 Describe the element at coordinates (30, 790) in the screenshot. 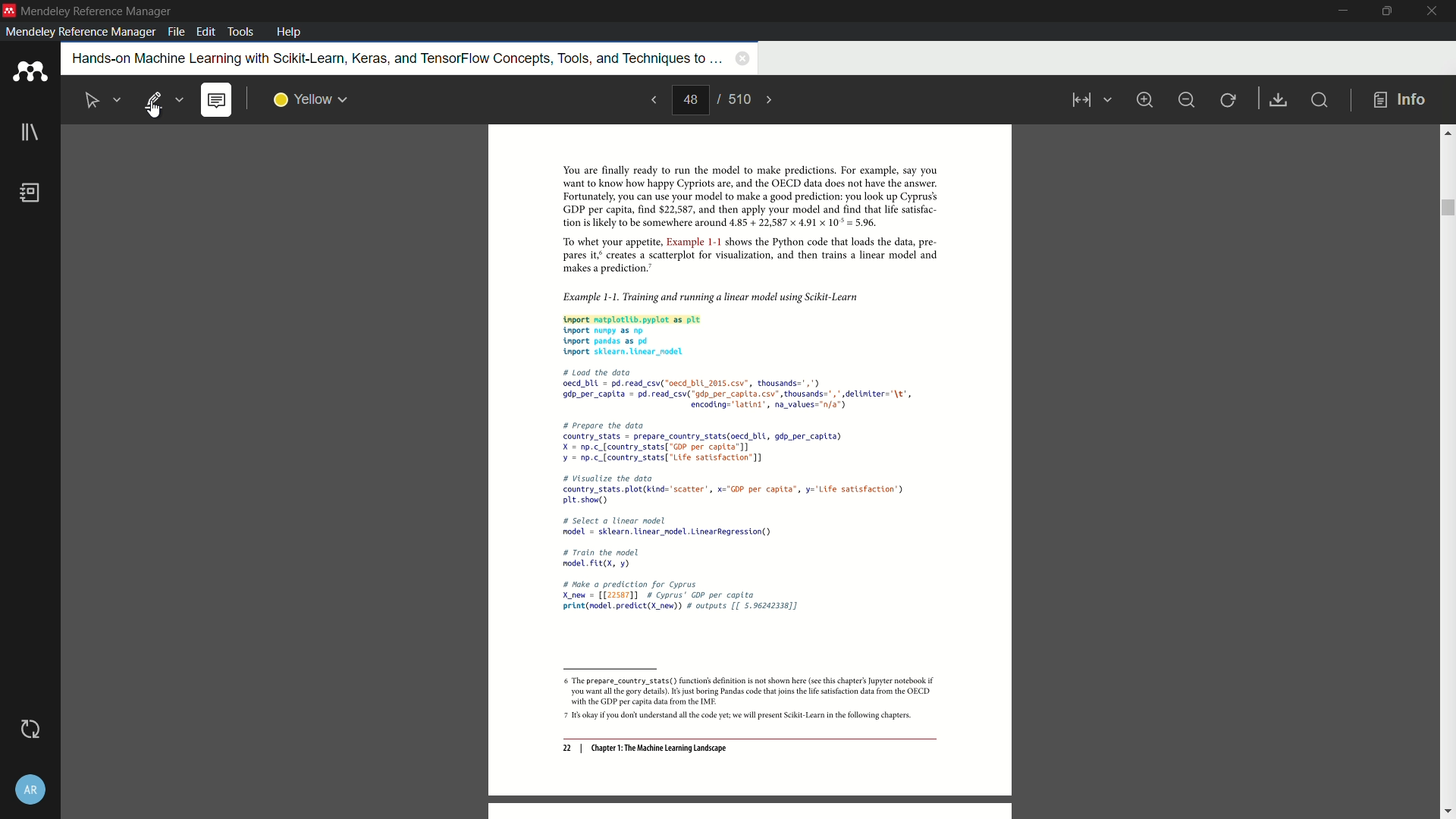

I see `account and help` at that location.